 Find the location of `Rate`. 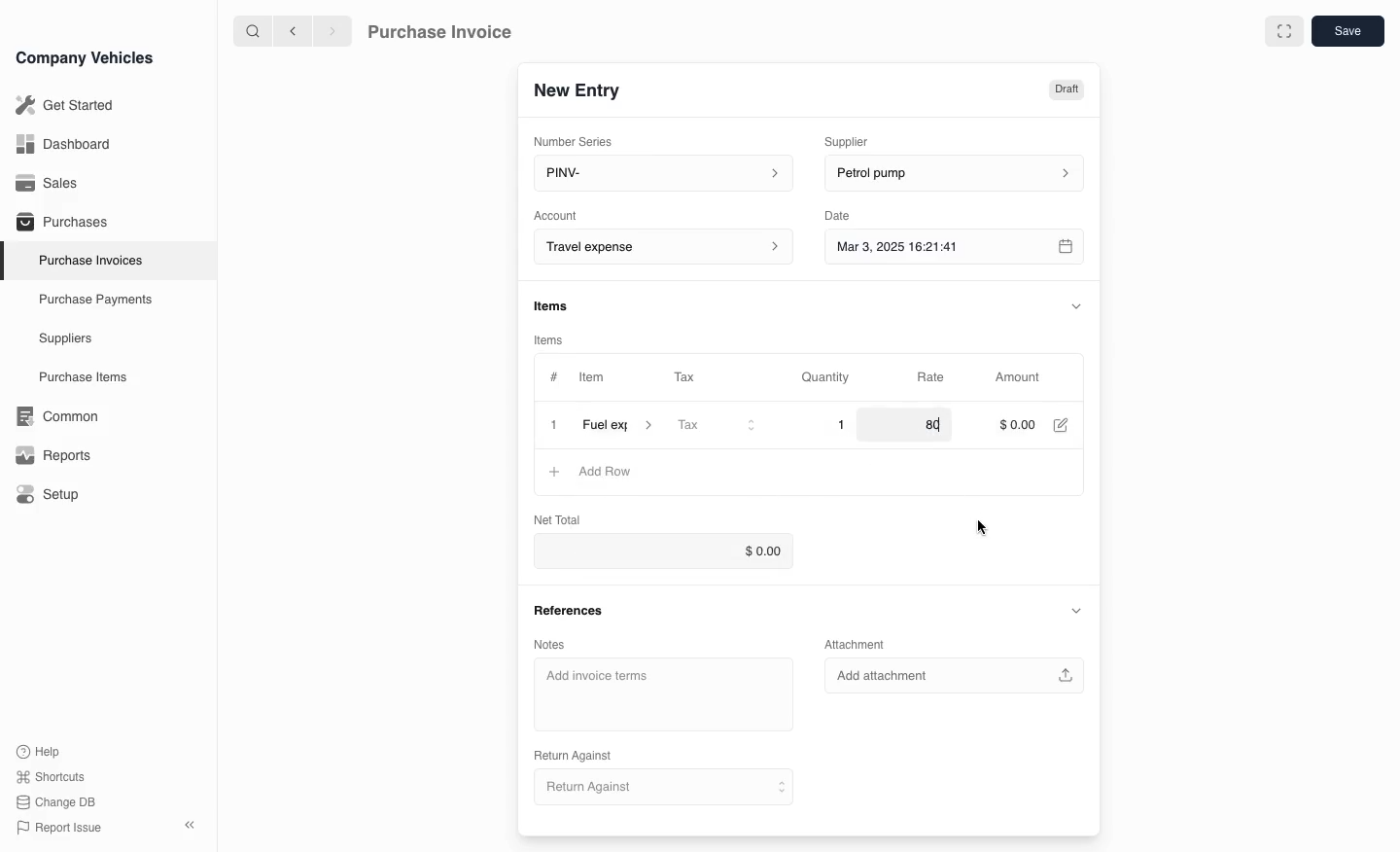

Rate is located at coordinates (932, 377).